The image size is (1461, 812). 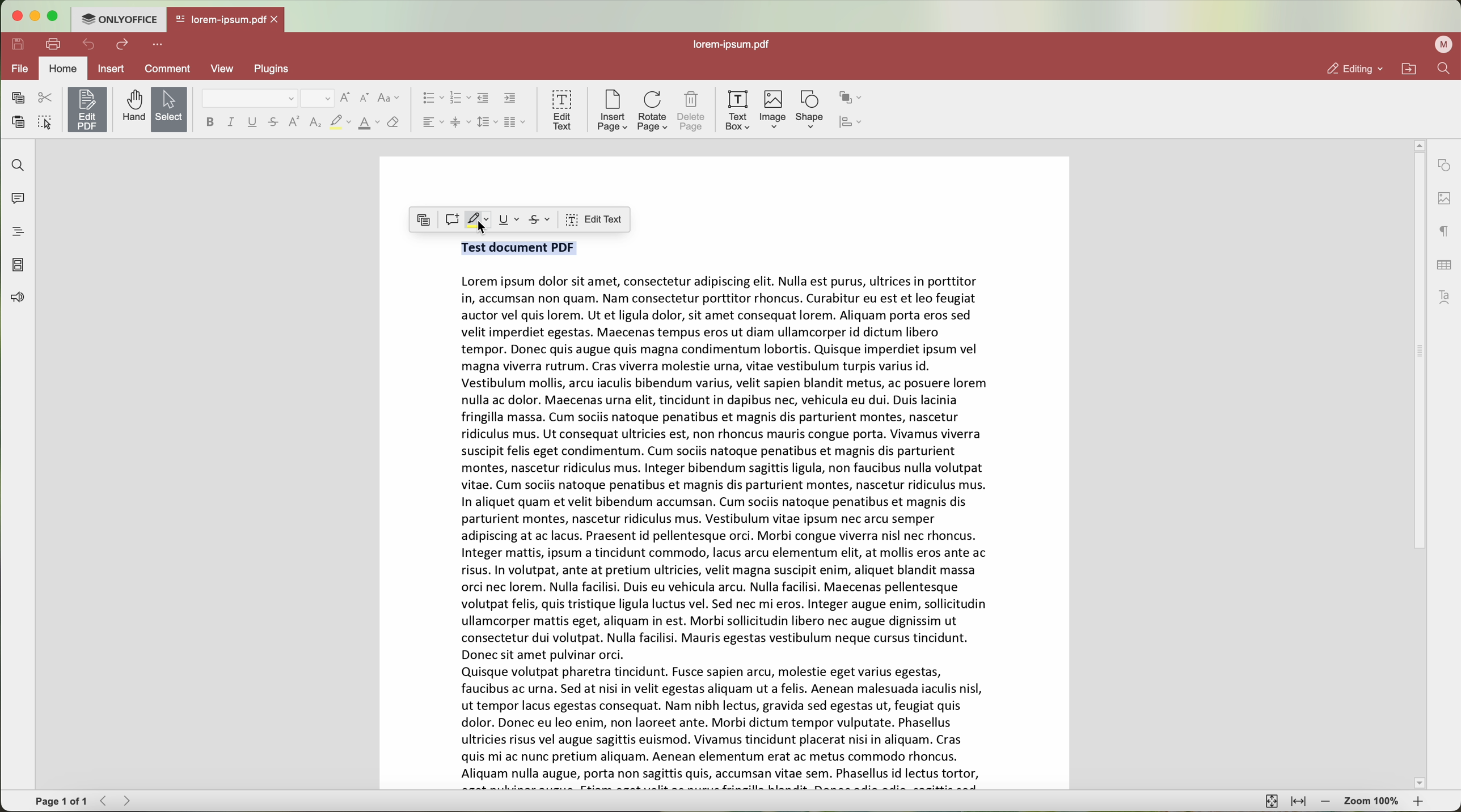 What do you see at coordinates (17, 97) in the screenshot?
I see `copy` at bounding box center [17, 97].